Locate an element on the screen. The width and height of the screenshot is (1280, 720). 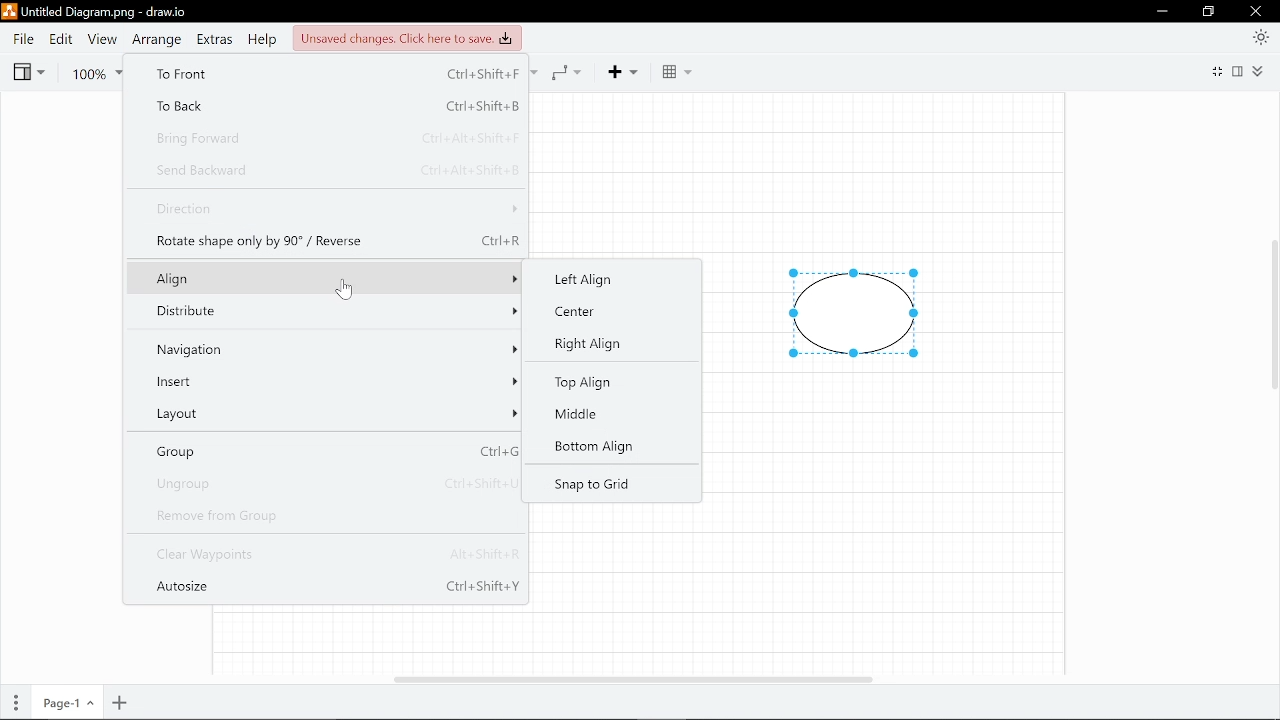
Waypoints is located at coordinates (572, 71).